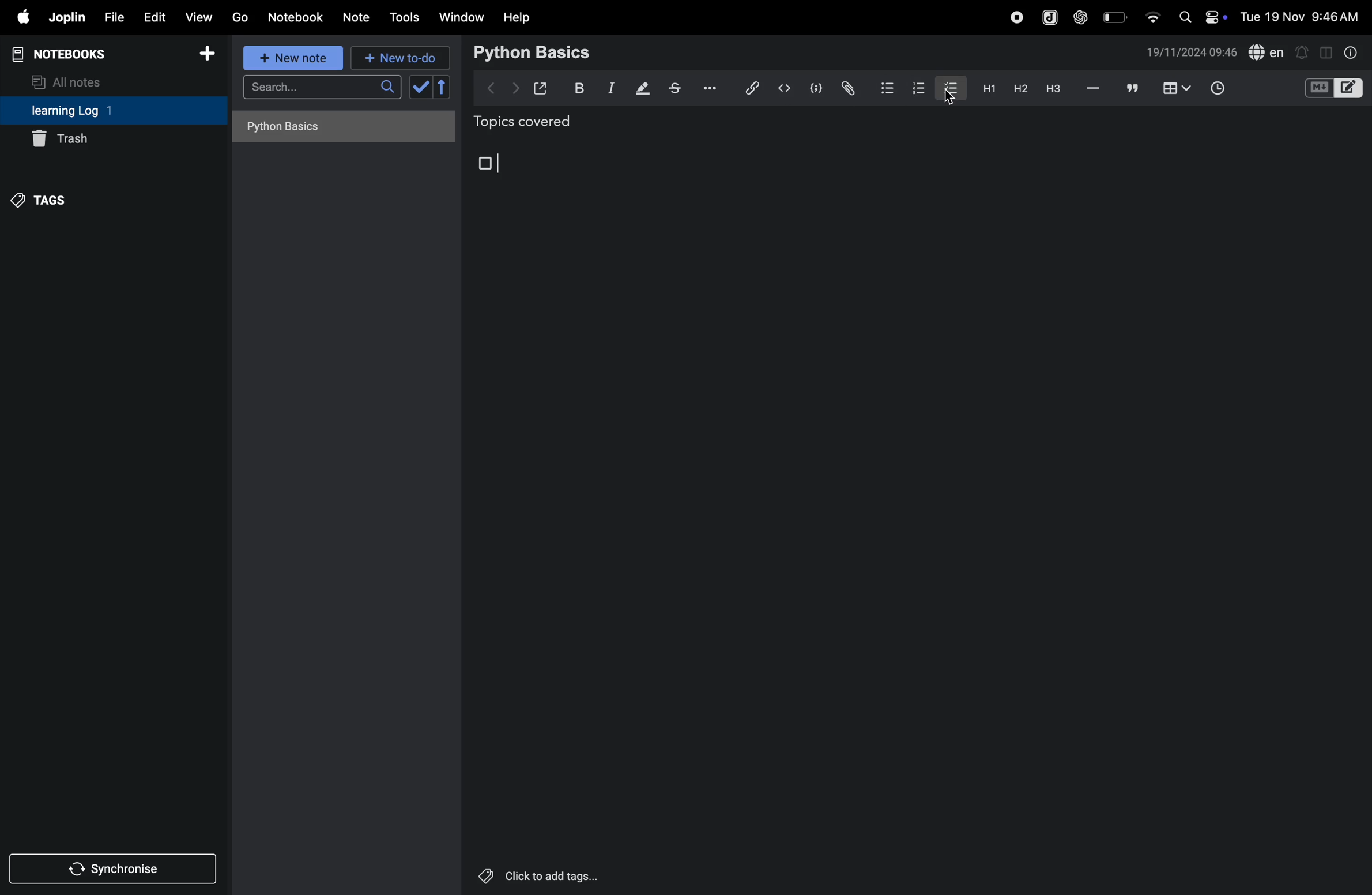 The image size is (1372, 895). Describe the element at coordinates (785, 88) in the screenshot. I see `insert code` at that location.